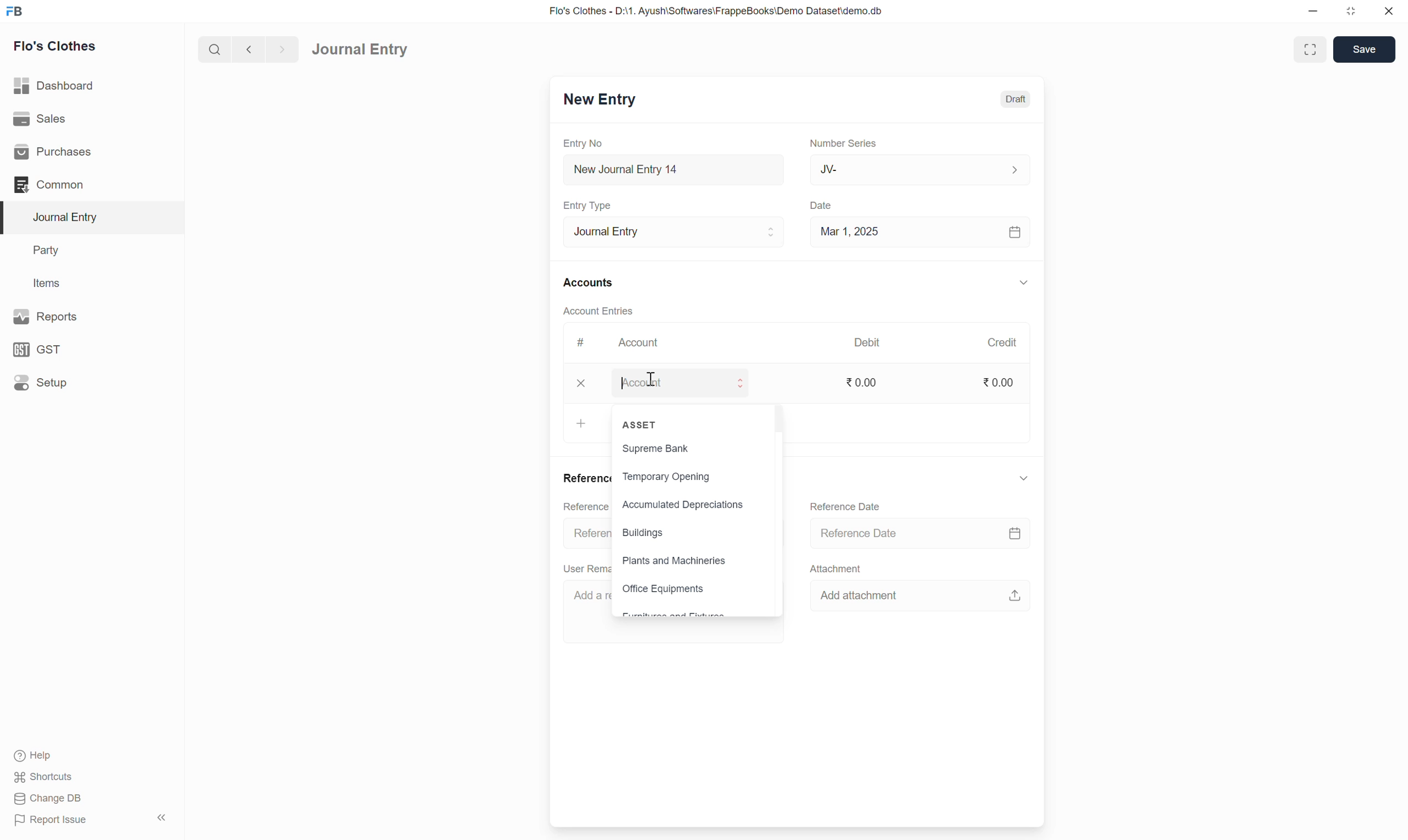 The image size is (1408, 840). I want to click on x, so click(583, 383).